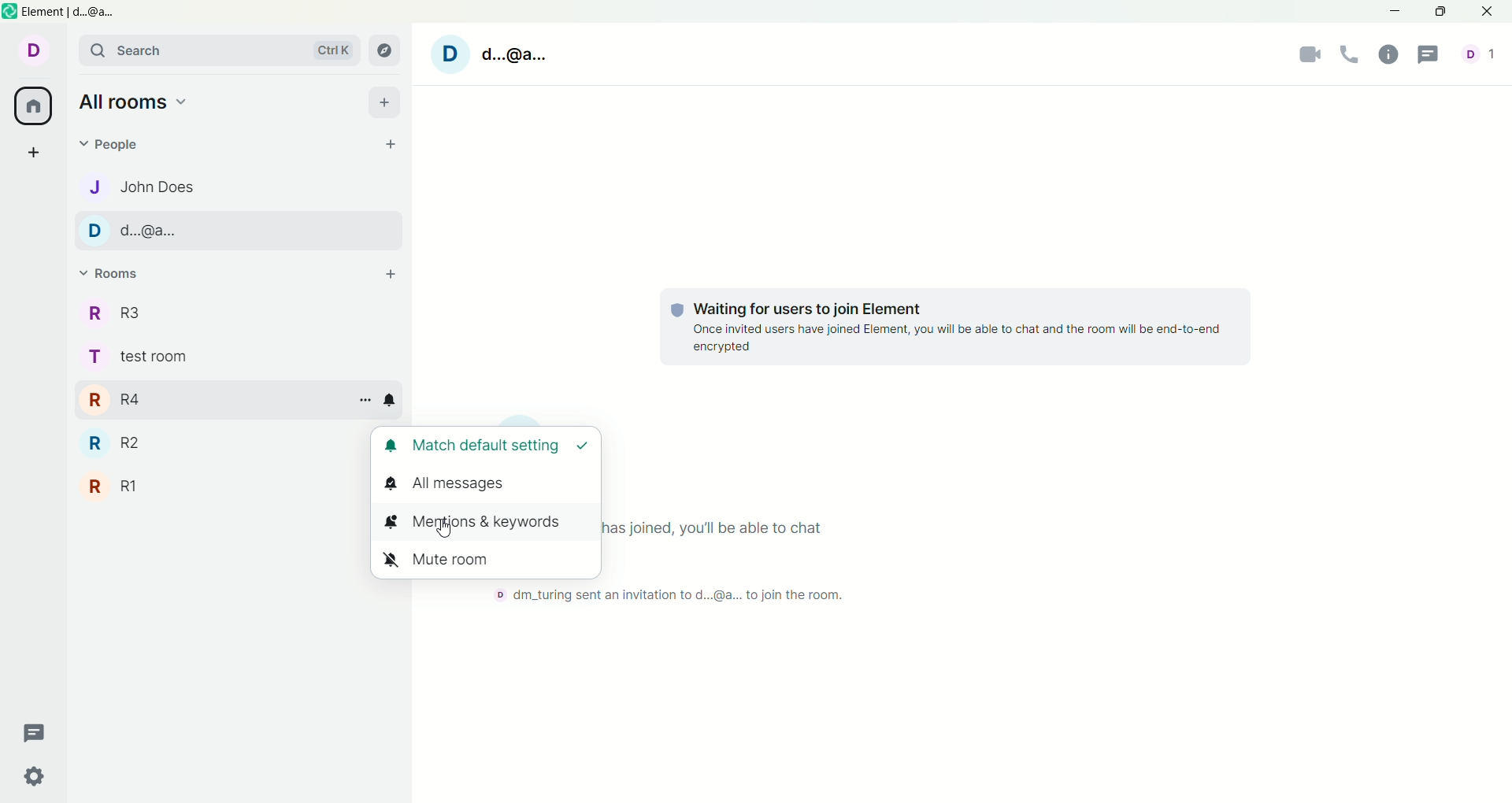 This screenshot has width=1512, height=803. Describe the element at coordinates (486, 522) in the screenshot. I see `mentions and keywords` at that location.